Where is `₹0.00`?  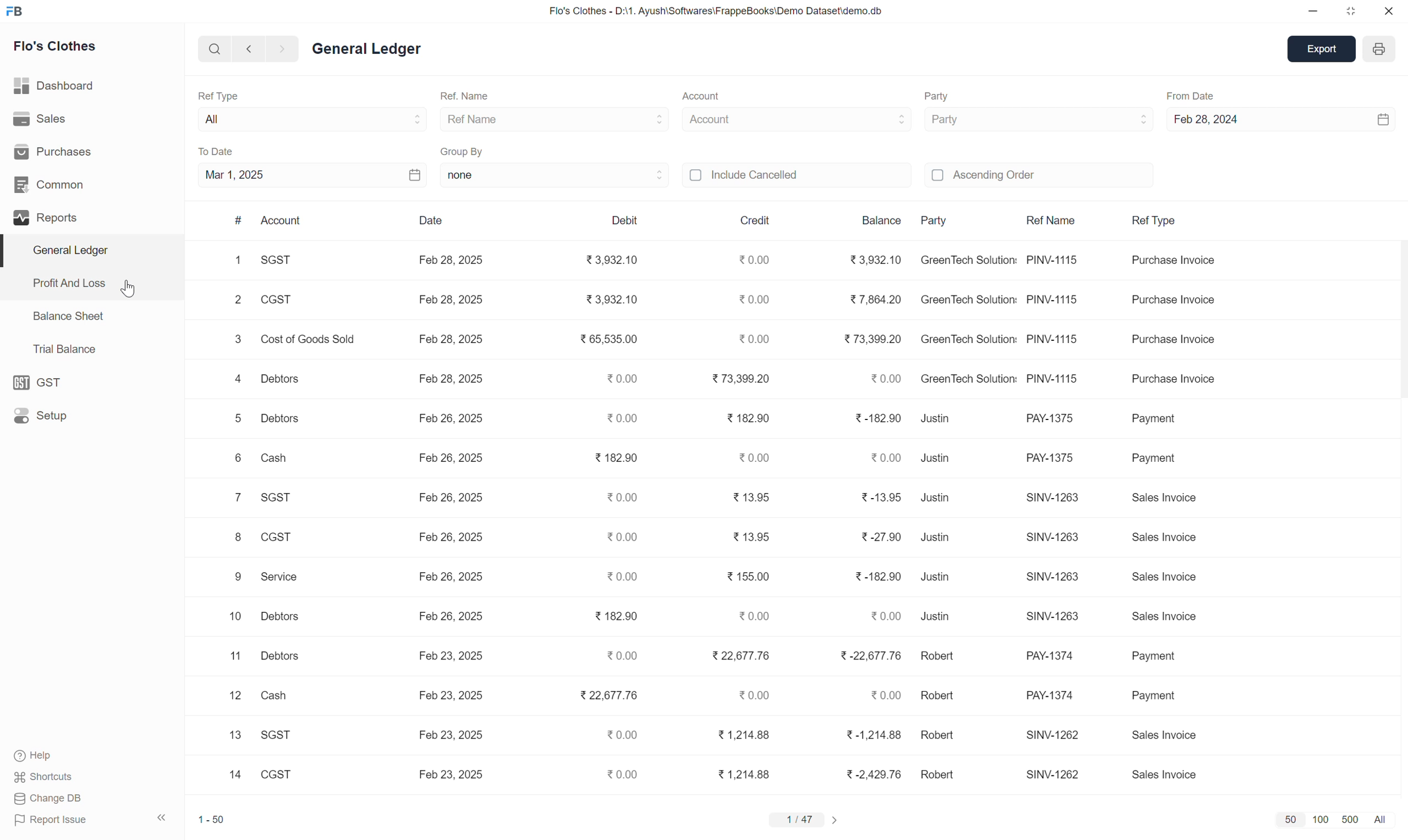
₹0.00 is located at coordinates (617, 576).